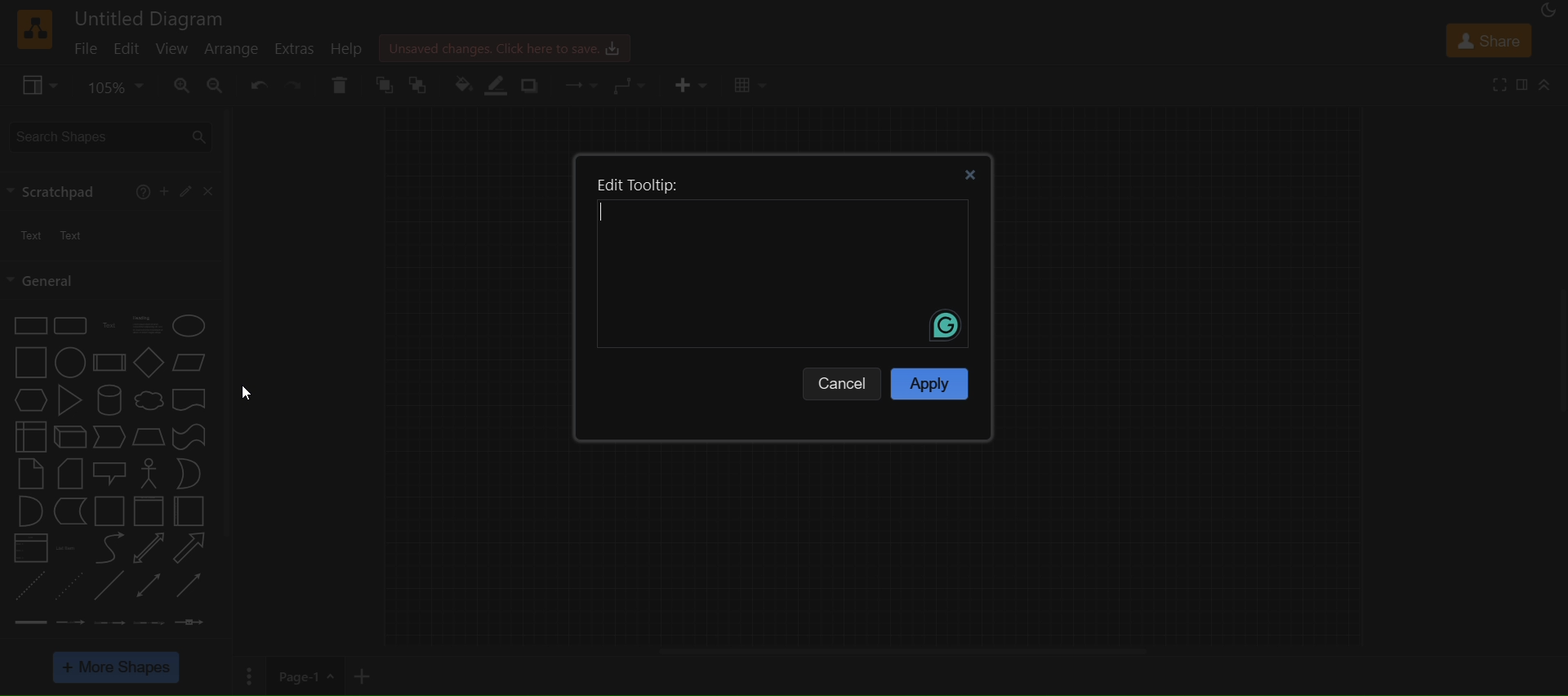 The width and height of the screenshot is (1568, 696). Describe the element at coordinates (781, 261) in the screenshot. I see `edit tooltip` at that location.